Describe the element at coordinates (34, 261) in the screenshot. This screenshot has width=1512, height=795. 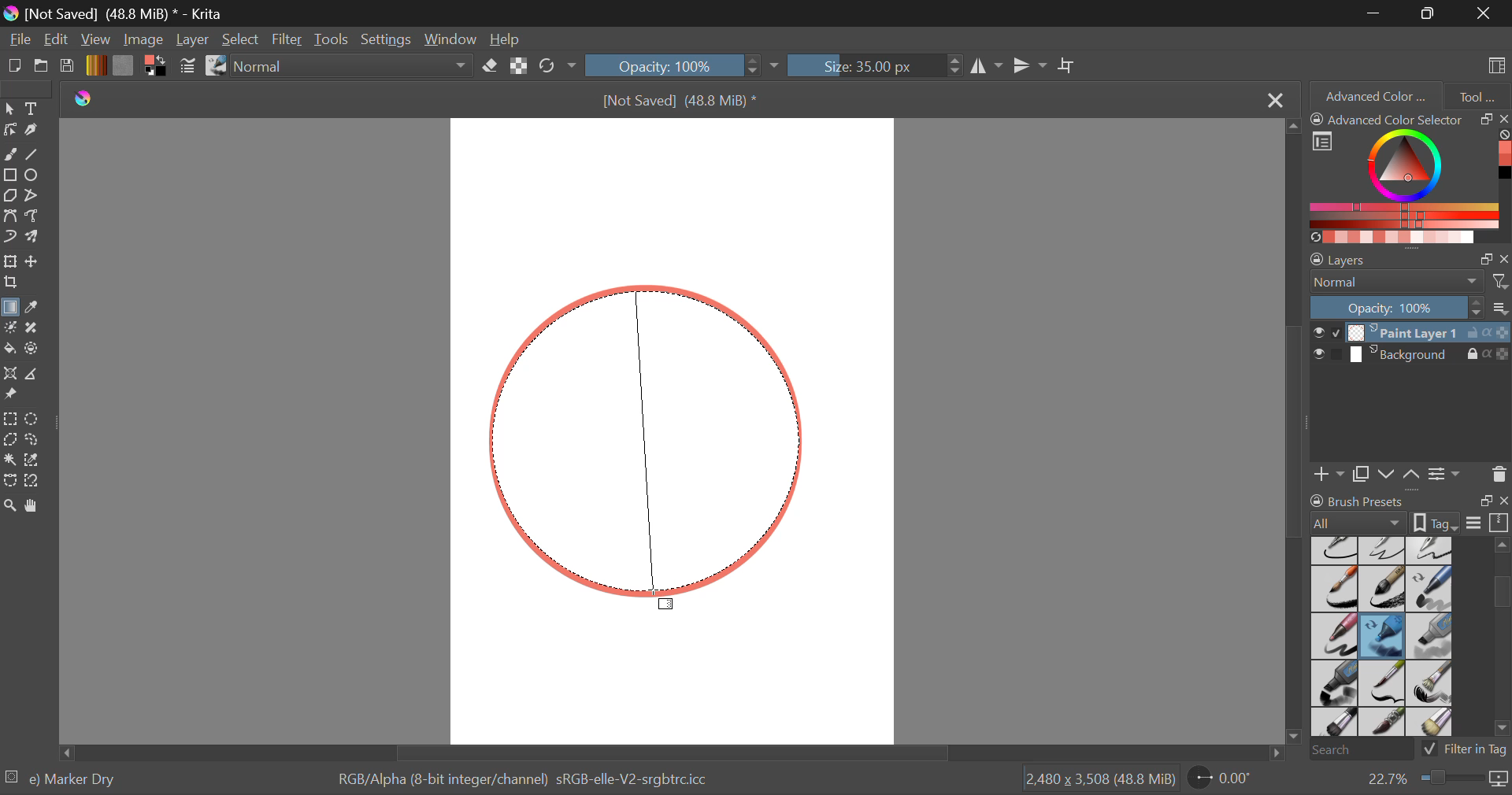
I see `Move a layer` at that location.